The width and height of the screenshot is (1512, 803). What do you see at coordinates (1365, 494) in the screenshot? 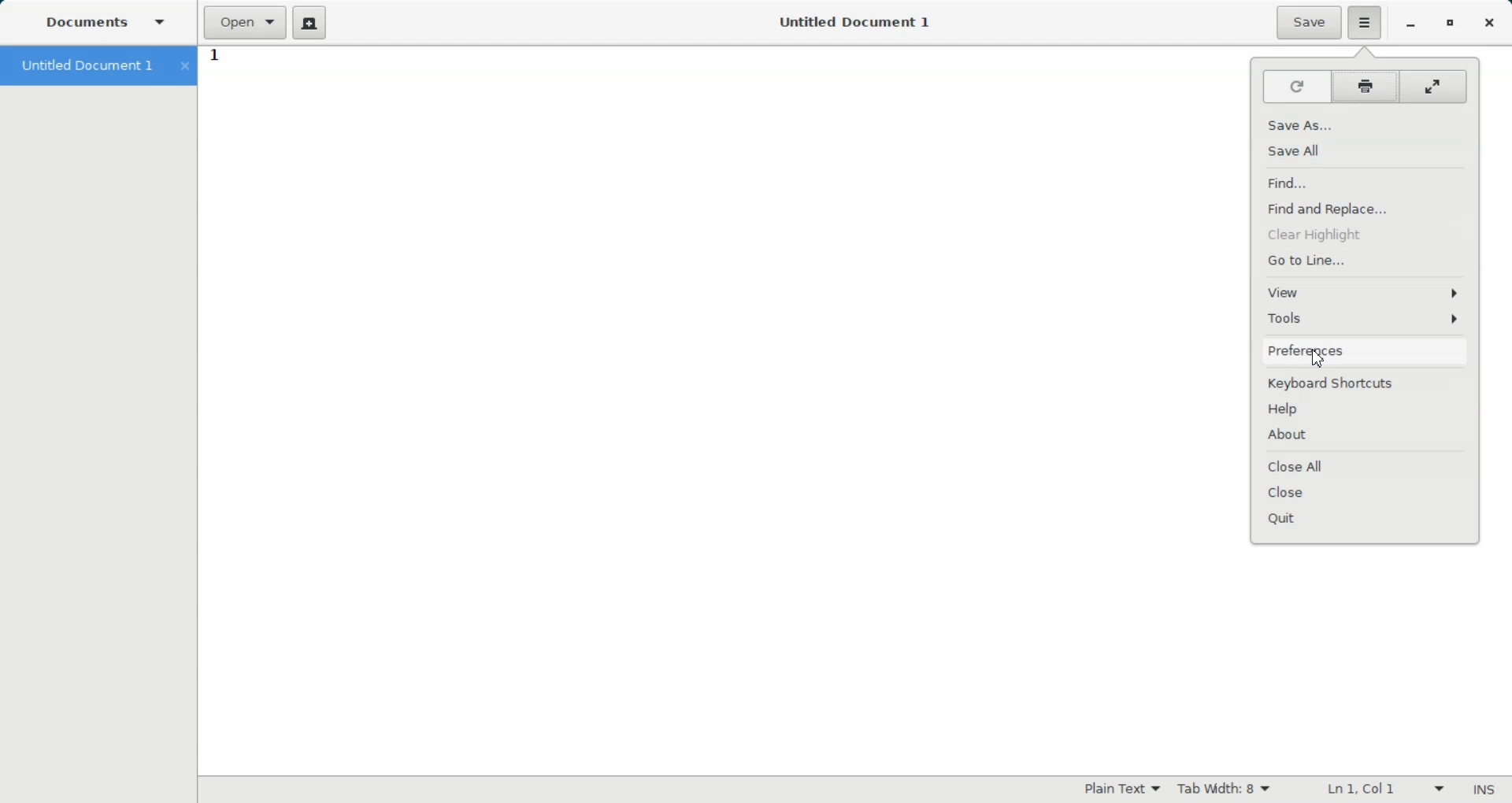
I see `Close` at bounding box center [1365, 494].